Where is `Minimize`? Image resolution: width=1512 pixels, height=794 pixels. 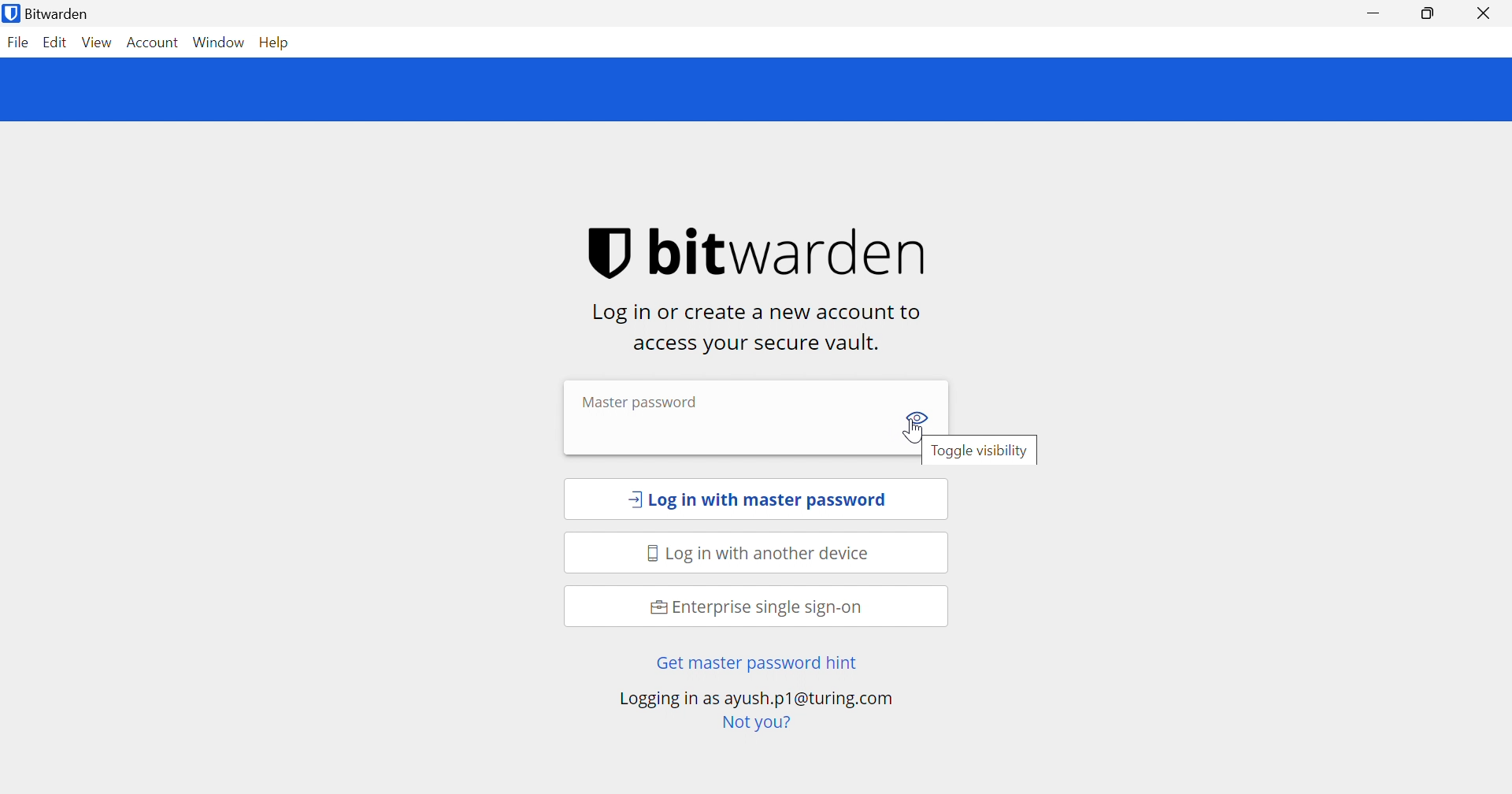
Minimize is located at coordinates (1377, 13).